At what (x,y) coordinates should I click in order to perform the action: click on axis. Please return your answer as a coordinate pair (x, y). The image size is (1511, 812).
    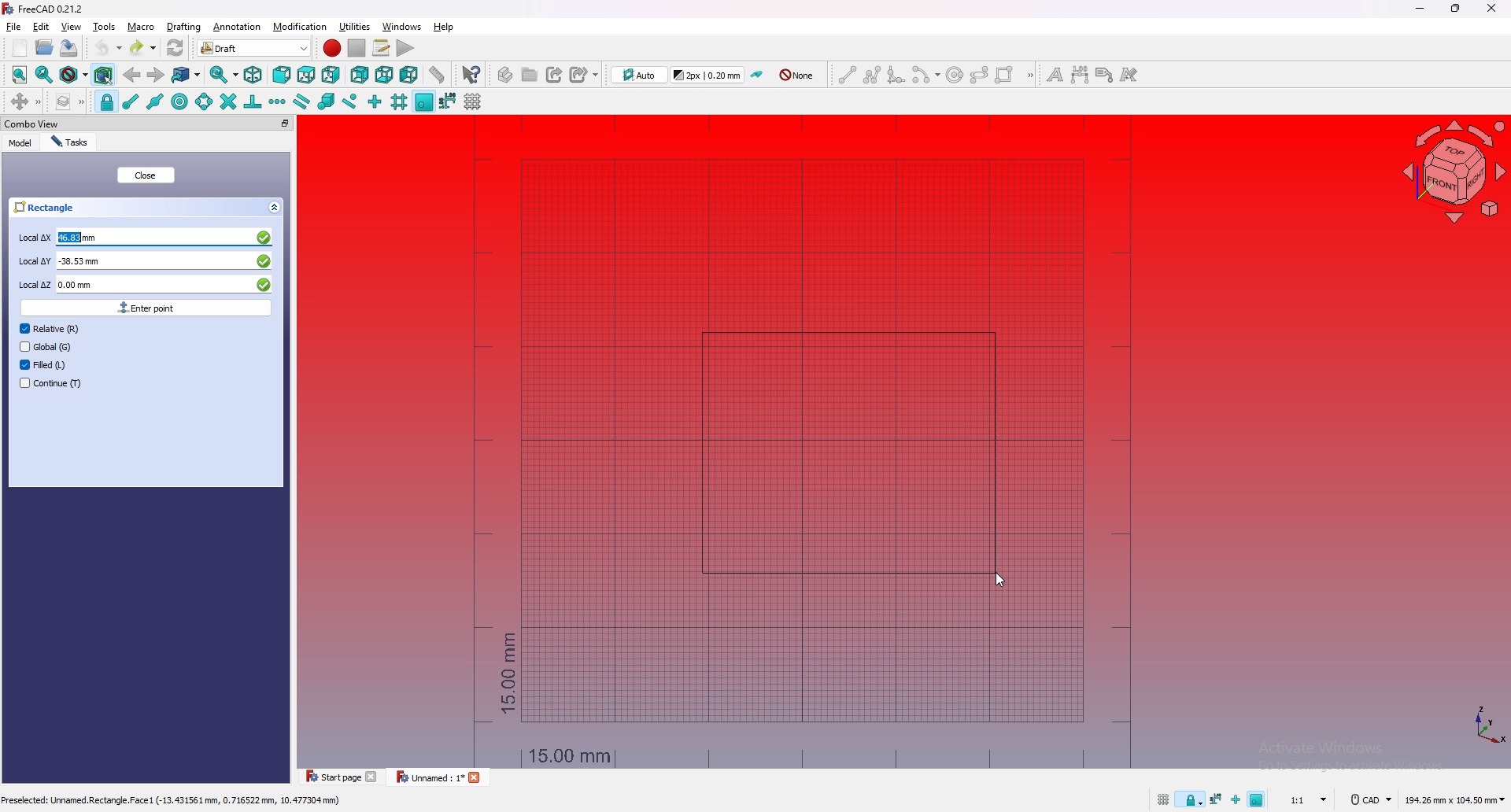
    Looking at the image, I should click on (1486, 724).